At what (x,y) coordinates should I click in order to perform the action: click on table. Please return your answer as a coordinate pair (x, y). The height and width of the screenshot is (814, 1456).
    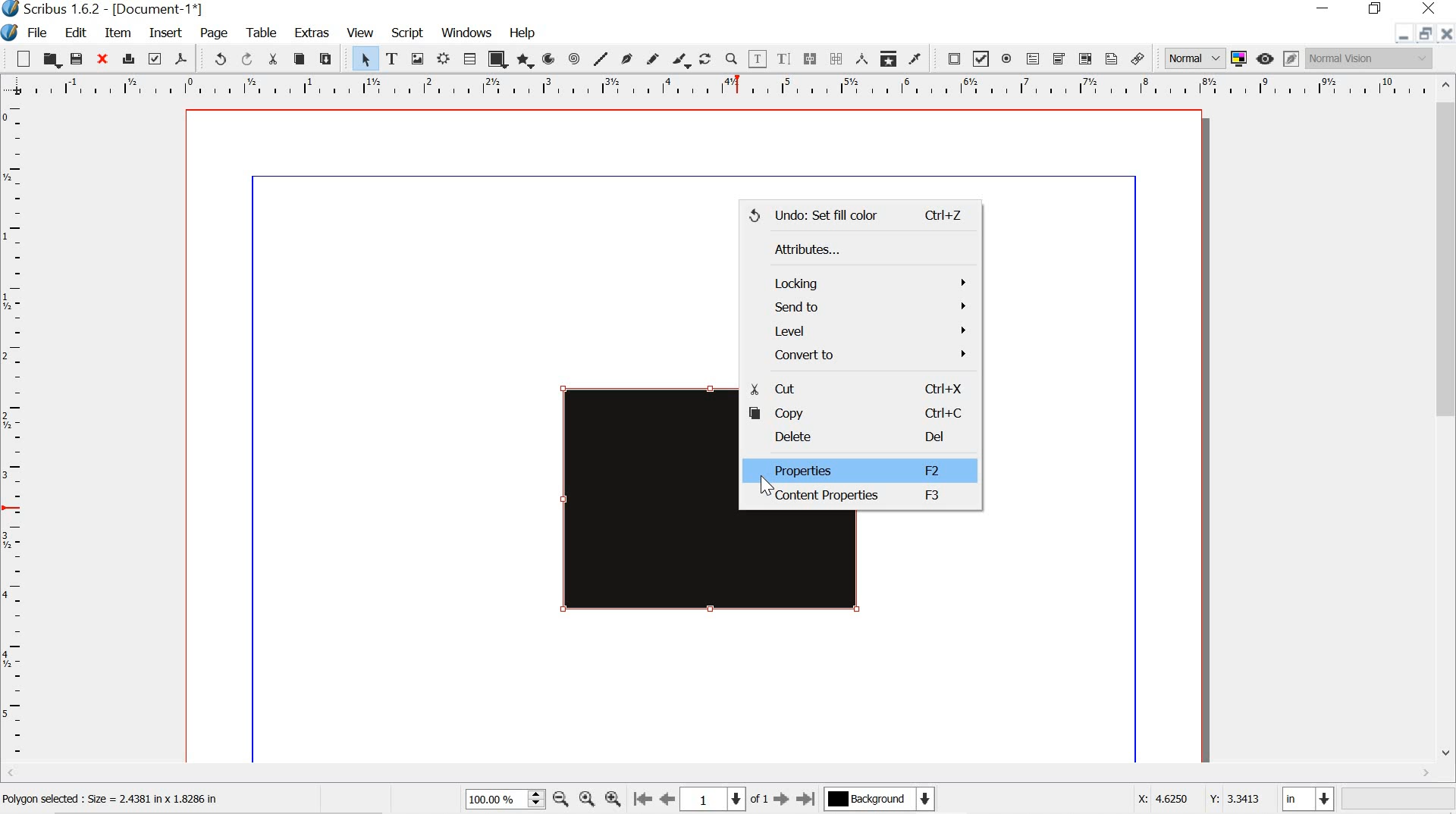
    Looking at the image, I should click on (469, 58).